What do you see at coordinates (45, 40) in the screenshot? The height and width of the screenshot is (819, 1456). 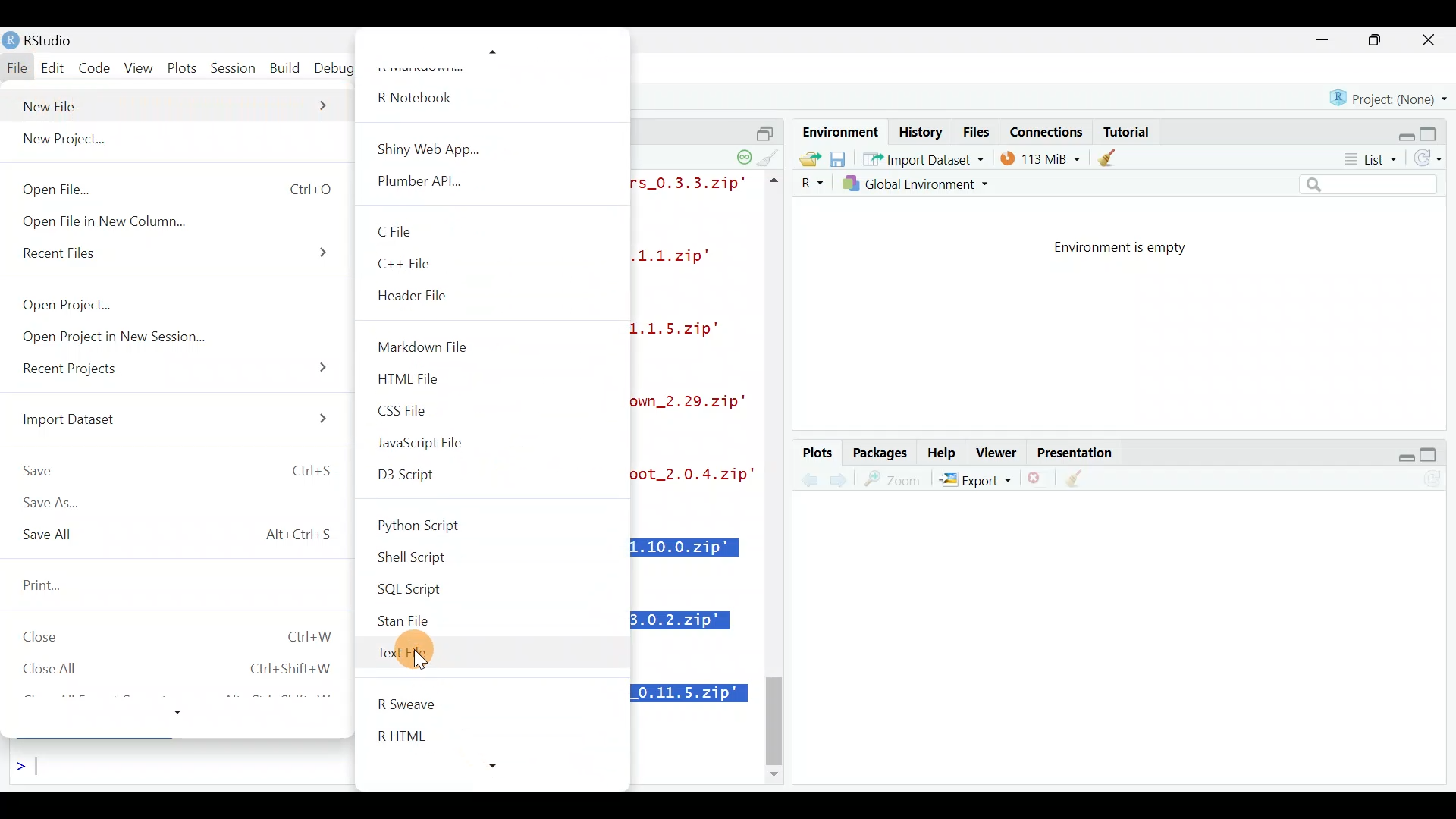 I see `RStudio` at bounding box center [45, 40].